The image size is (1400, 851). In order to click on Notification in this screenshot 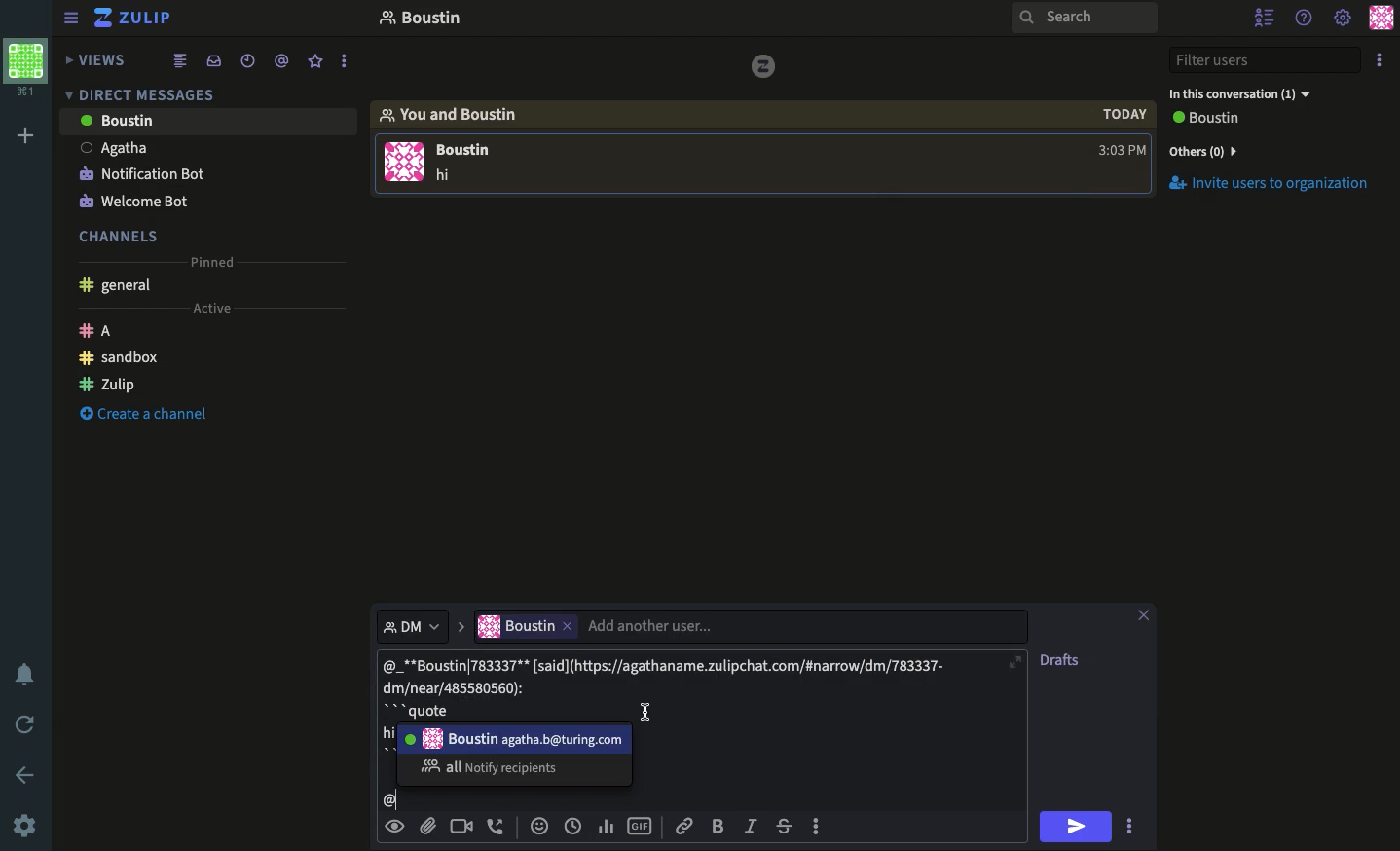, I will do `click(25, 675)`.